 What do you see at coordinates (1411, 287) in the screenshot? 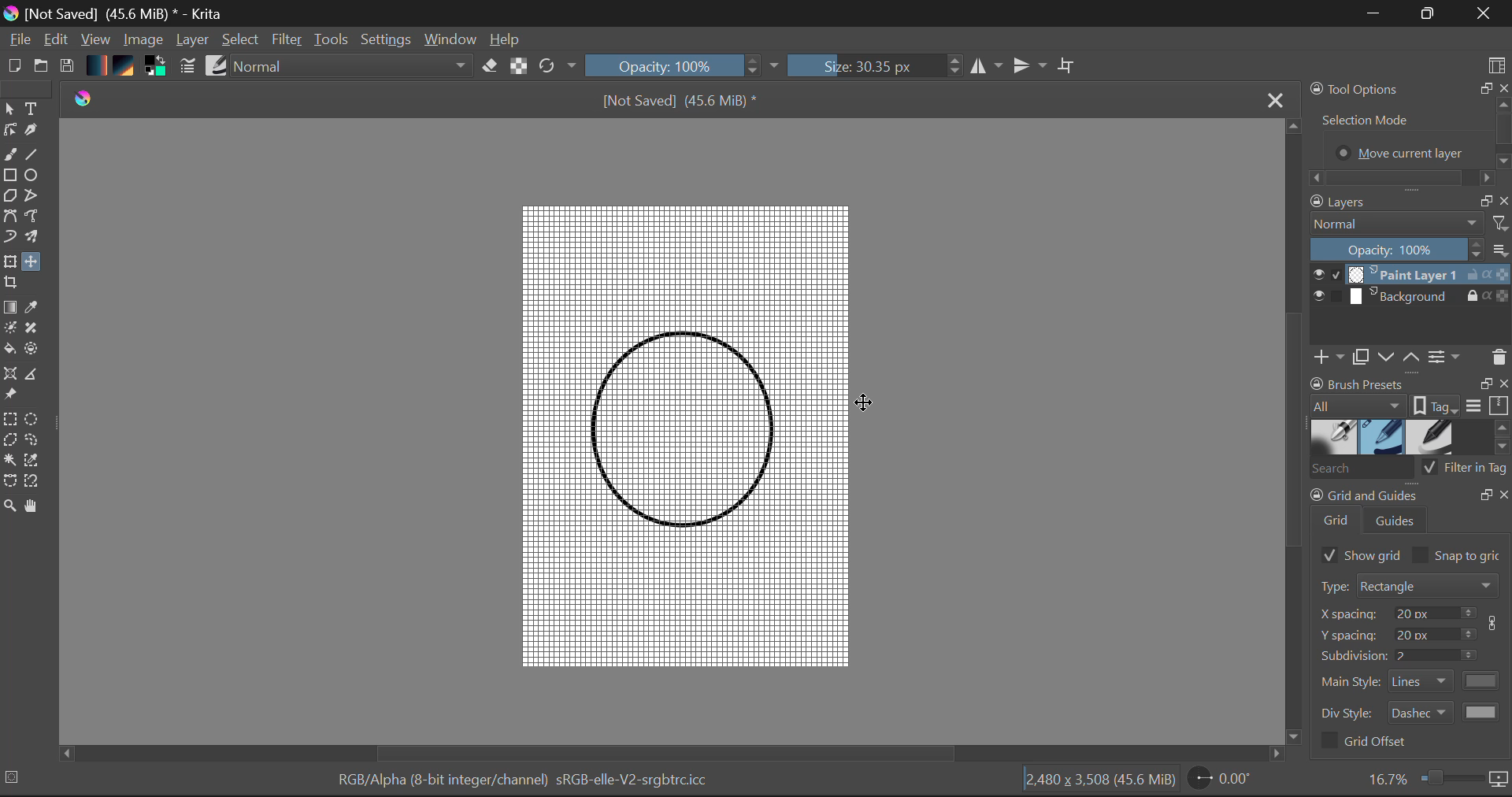
I see `Layers` at bounding box center [1411, 287].